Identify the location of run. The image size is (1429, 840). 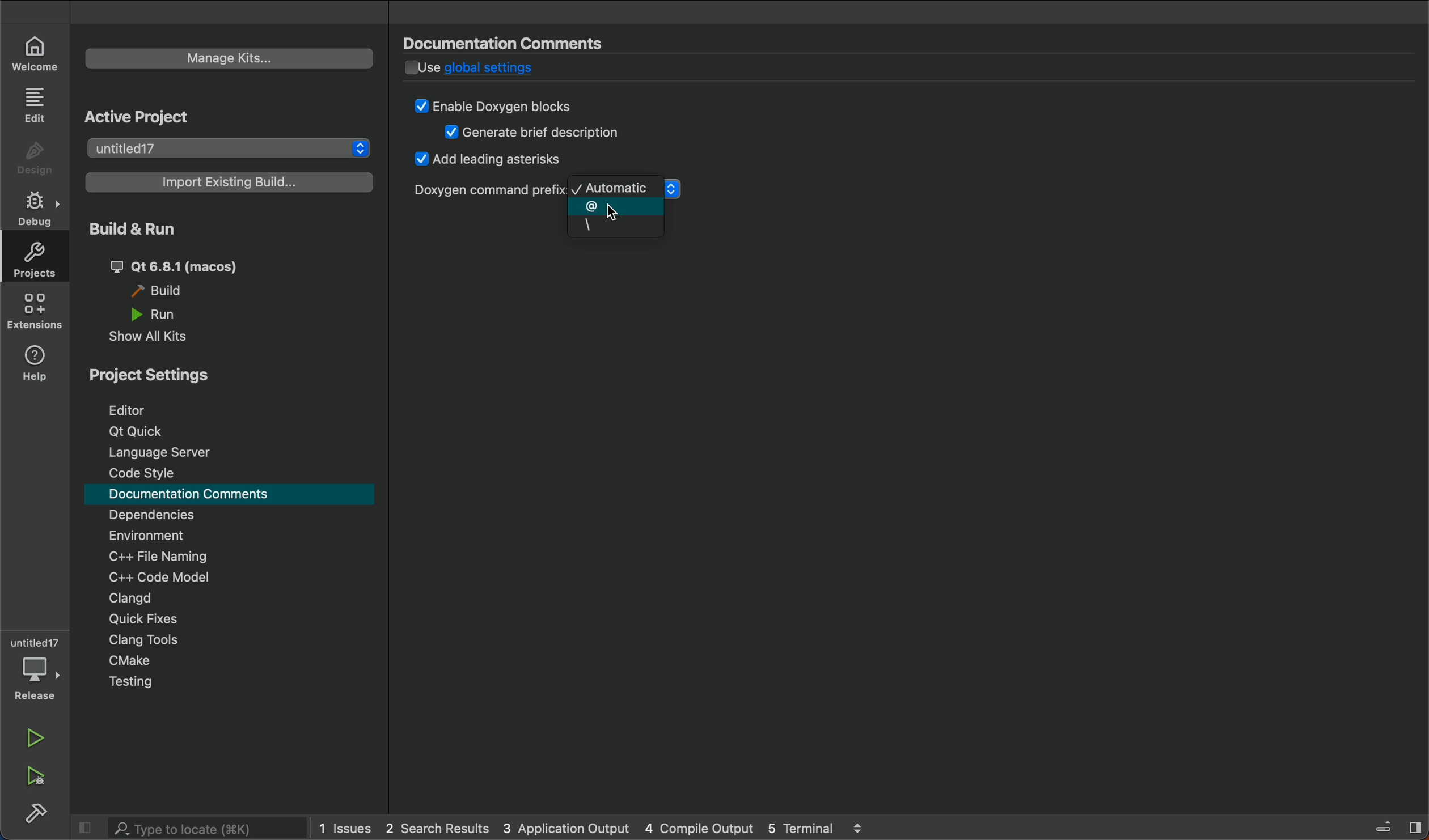
(173, 313).